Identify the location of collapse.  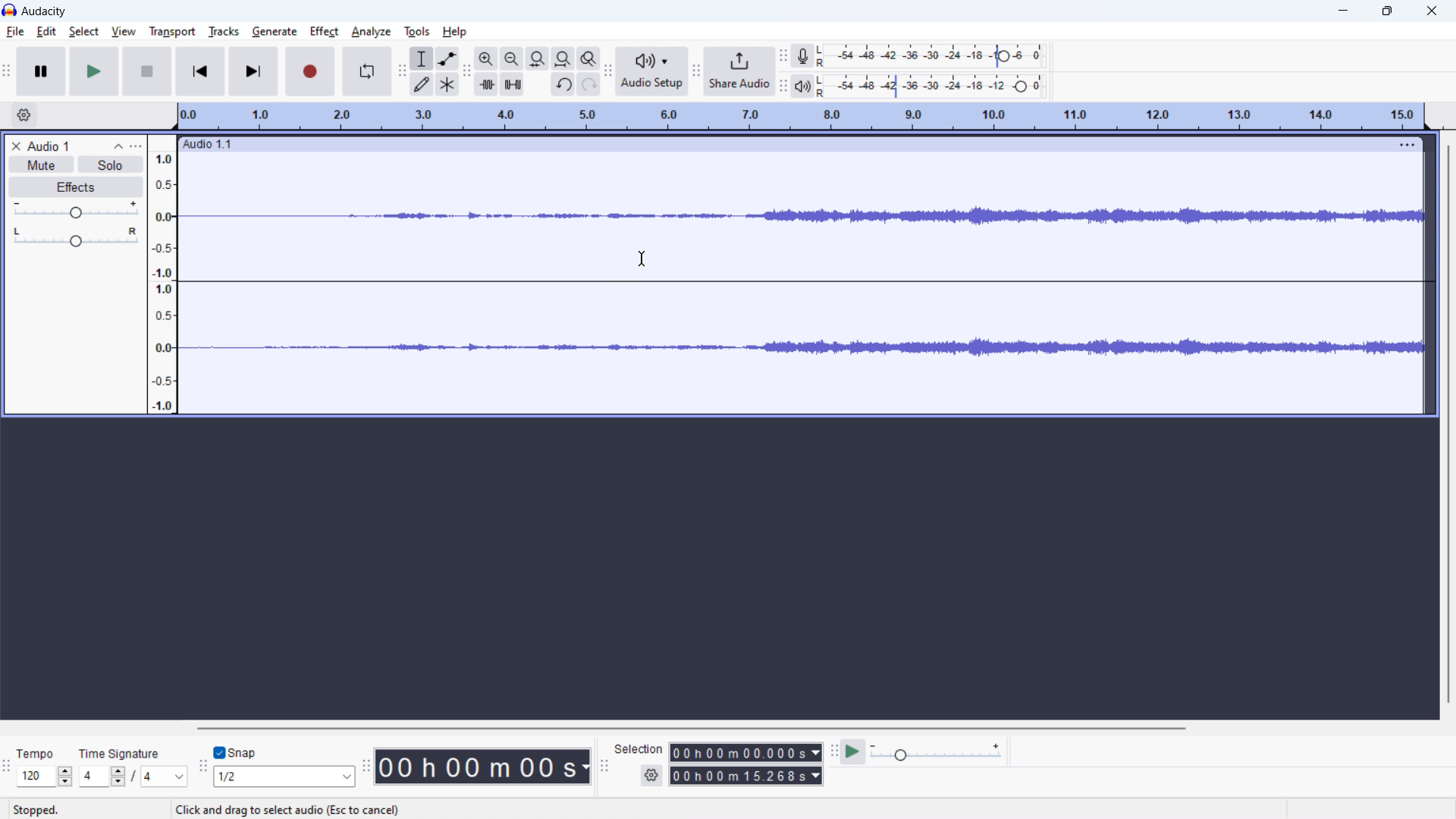
(119, 147).